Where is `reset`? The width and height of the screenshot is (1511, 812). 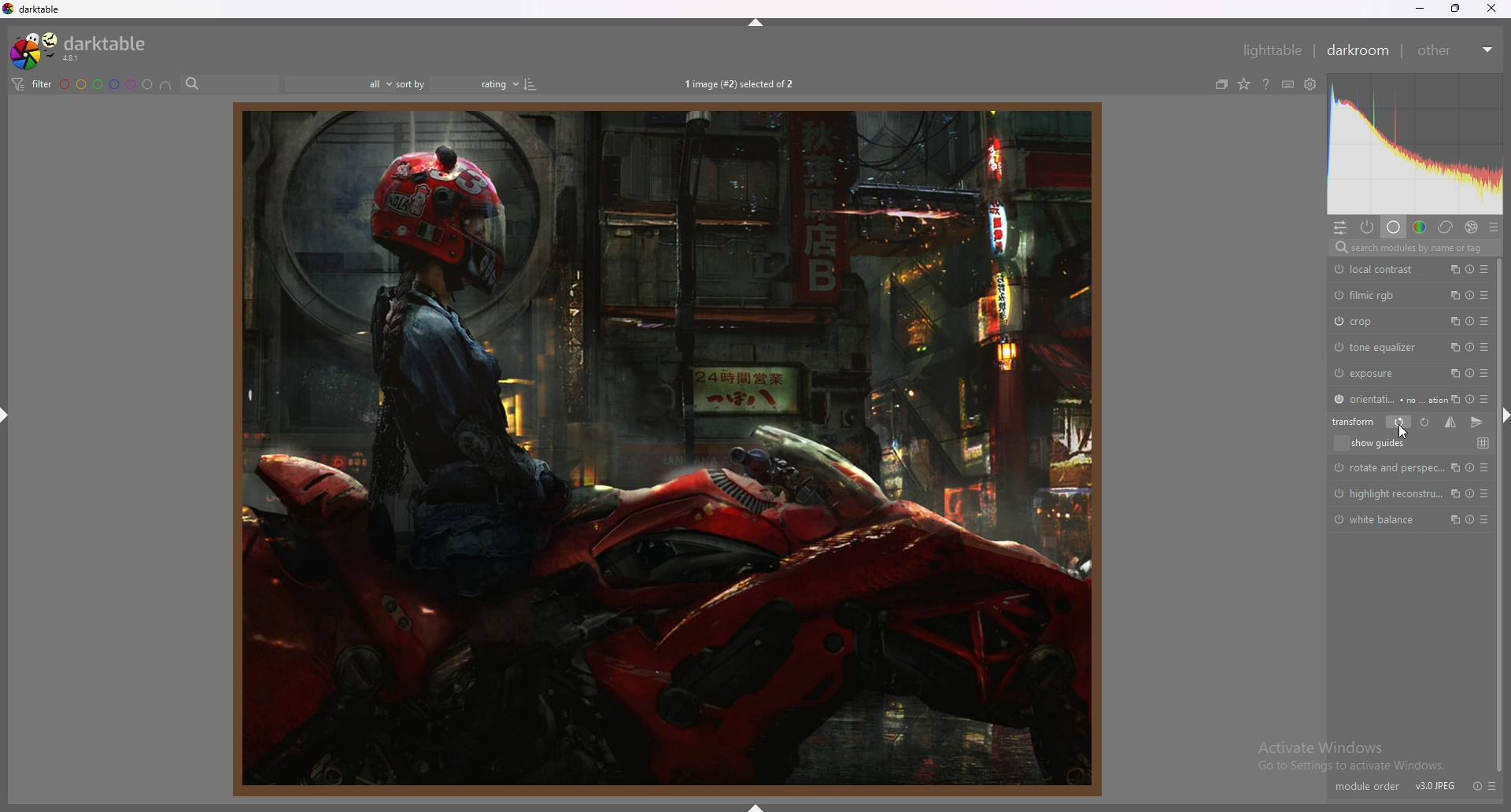
reset is located at coordinates (1469, 519).